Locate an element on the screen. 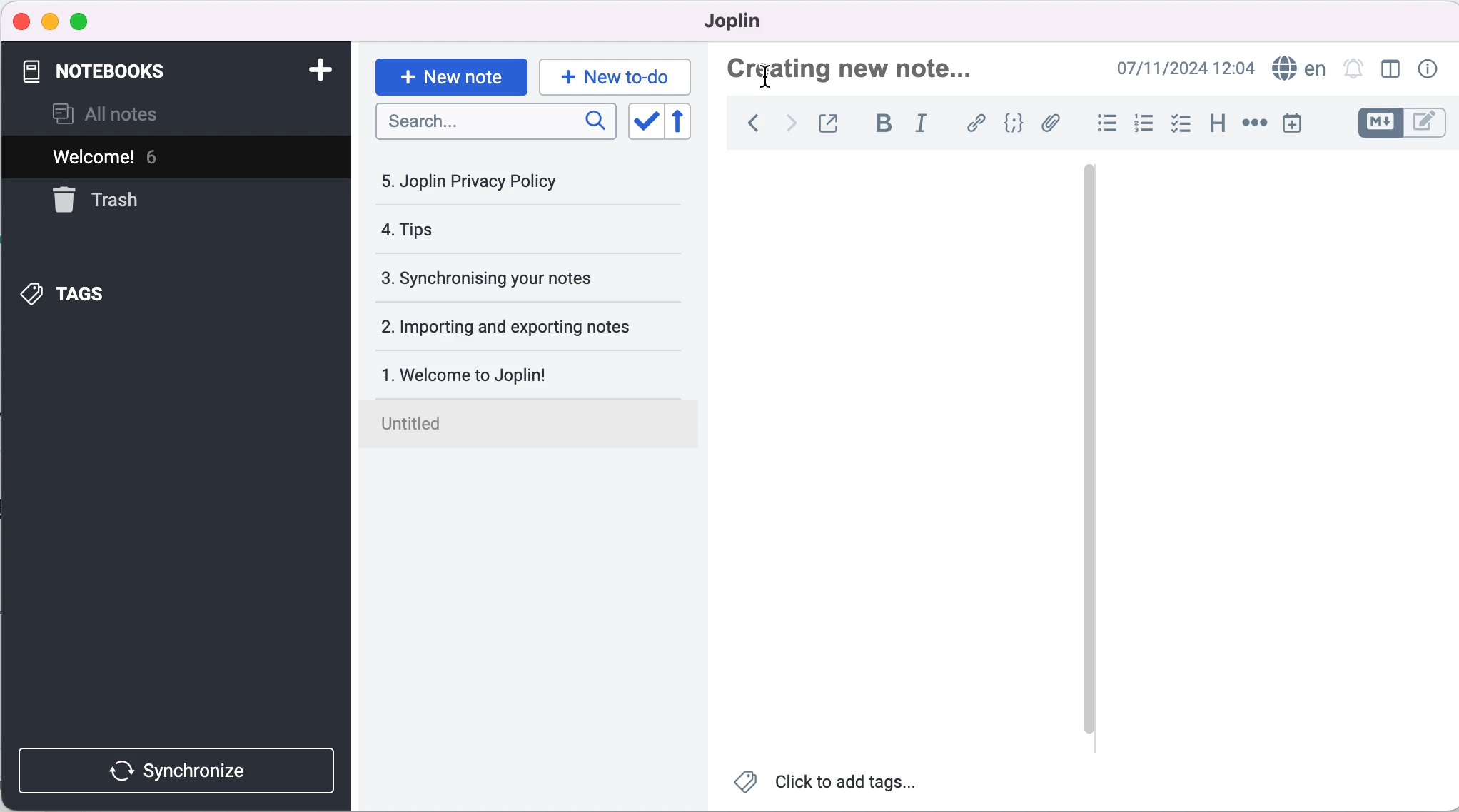 This screenshot has height=812, width=1459. toggle sort order field is located at coordinates (646, 123).